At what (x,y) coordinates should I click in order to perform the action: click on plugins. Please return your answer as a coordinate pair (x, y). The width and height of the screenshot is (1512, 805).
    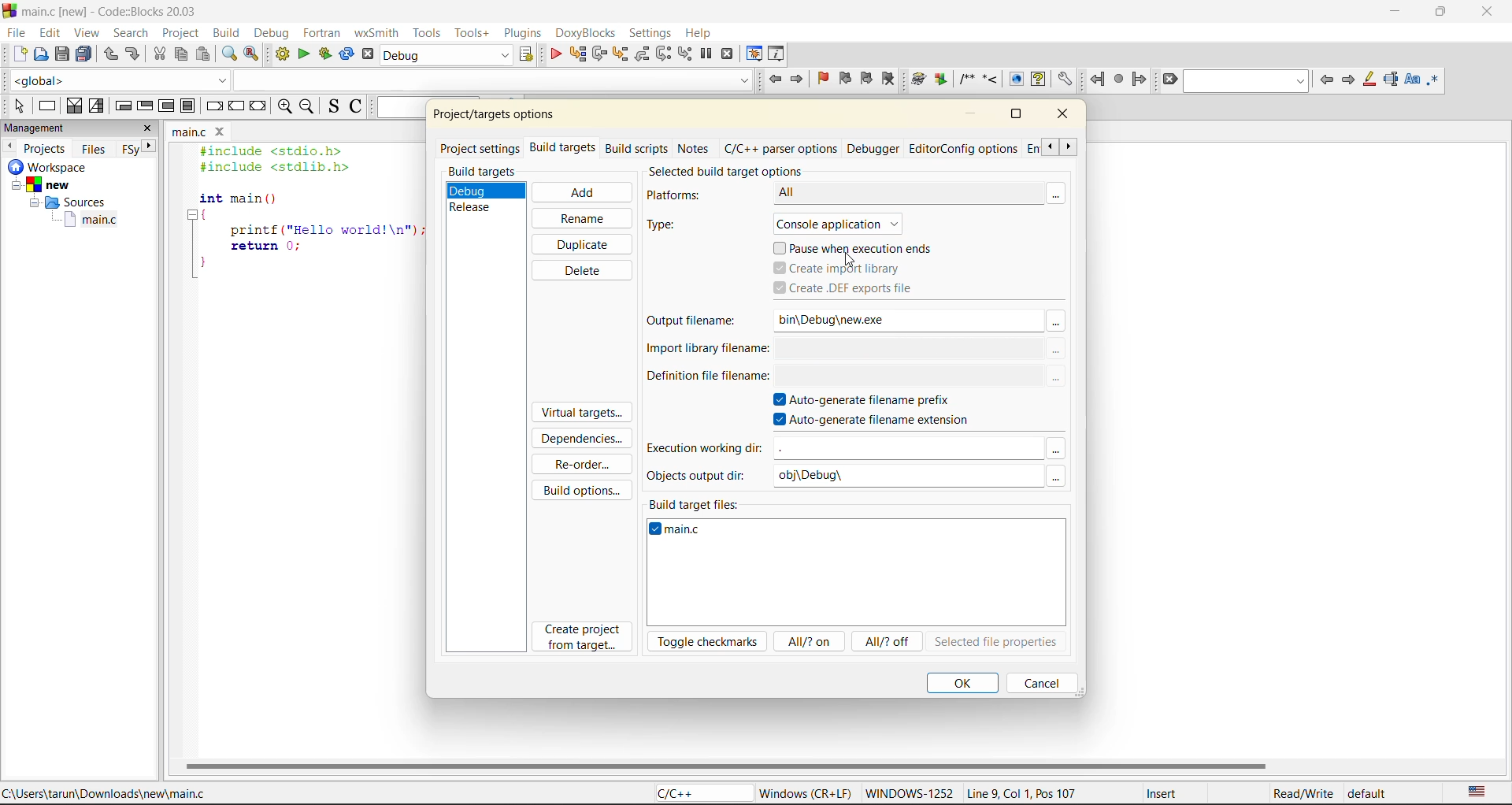
    Looking at the image, I should click on (522, 35).